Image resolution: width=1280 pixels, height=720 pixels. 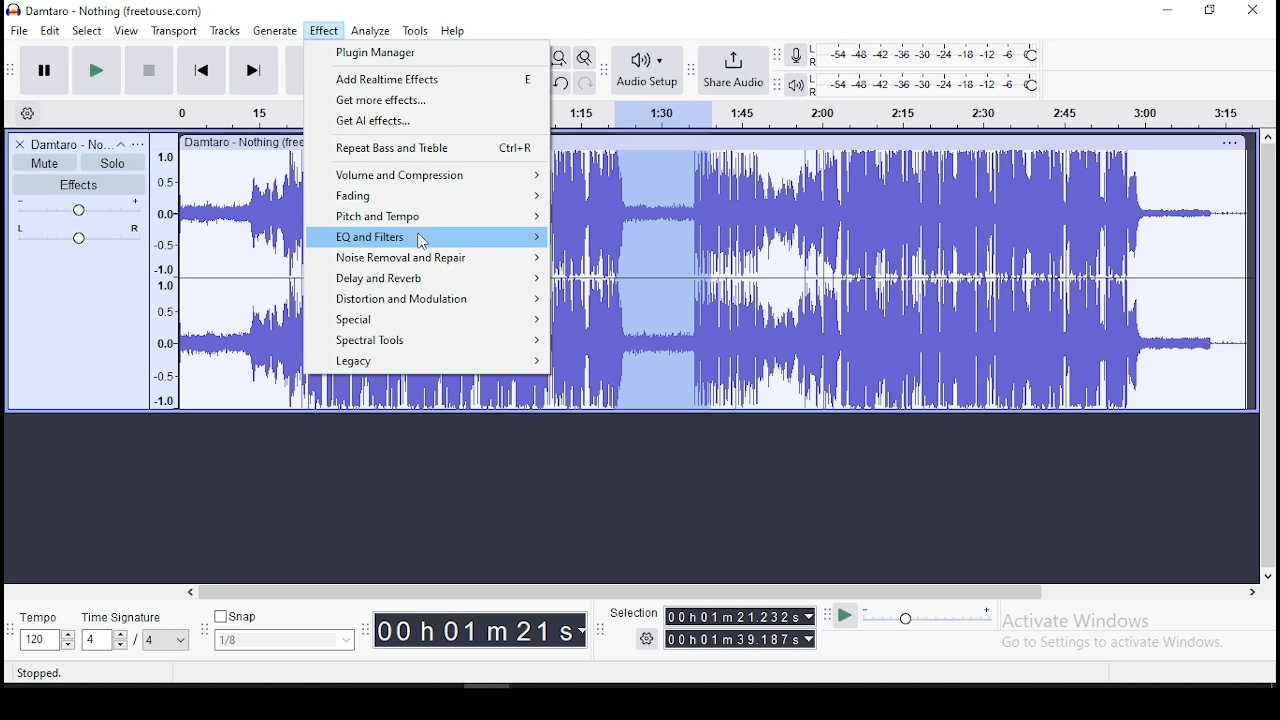 I want to click on zoom toggle, so click(x=583, y=59).